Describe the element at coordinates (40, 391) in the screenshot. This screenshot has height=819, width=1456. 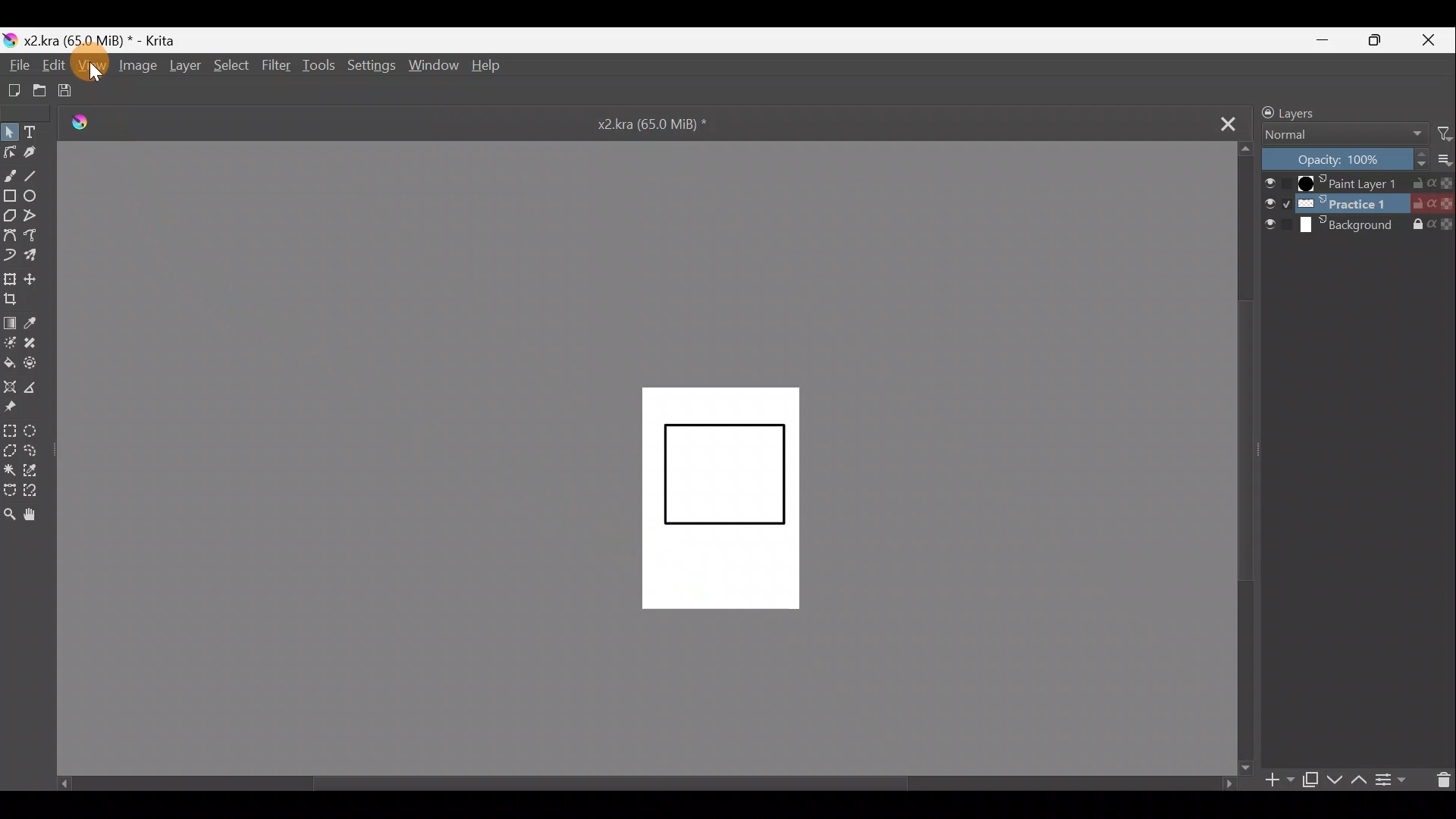
I see `Measure distance between two points` at that location.